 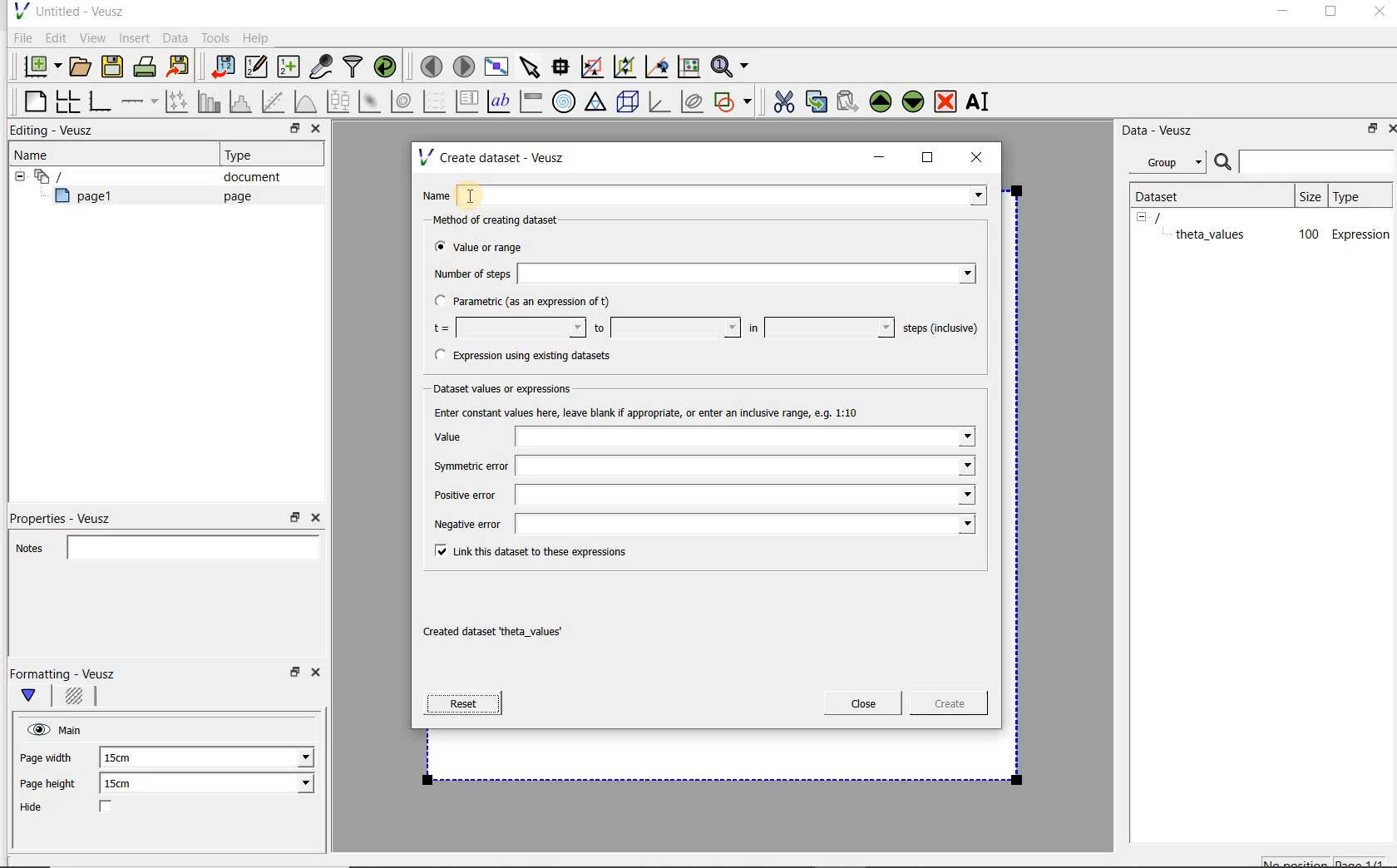 I want to click on Move the selected widget down, so click(x=914, y=101).